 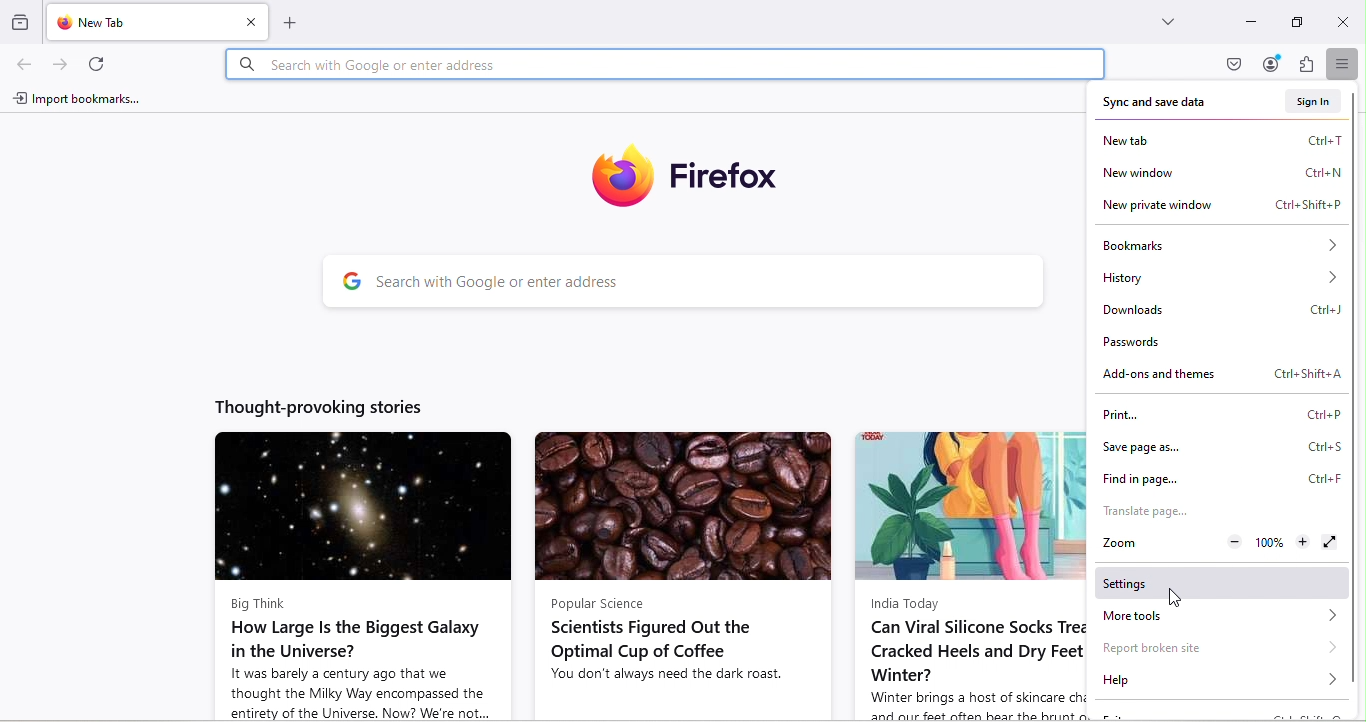 What do you see at coordinates (1268, 544) in the screenshot?
I see `Reset current level` at bounding box center [1268, 544].